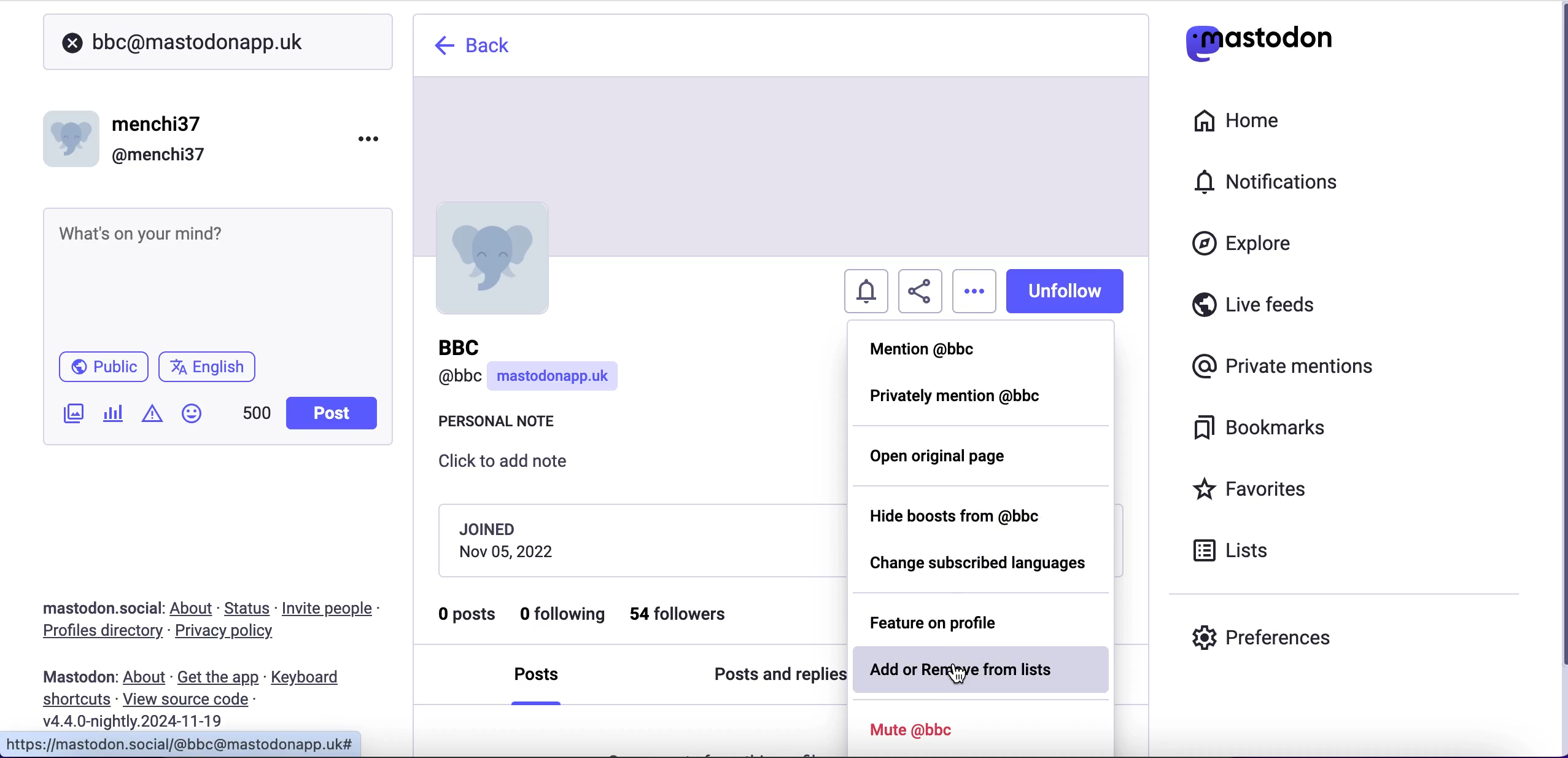  What do you see at coordinates (128, 138) in the screenshot?
I see `user name` at bounding box center [128, 138].